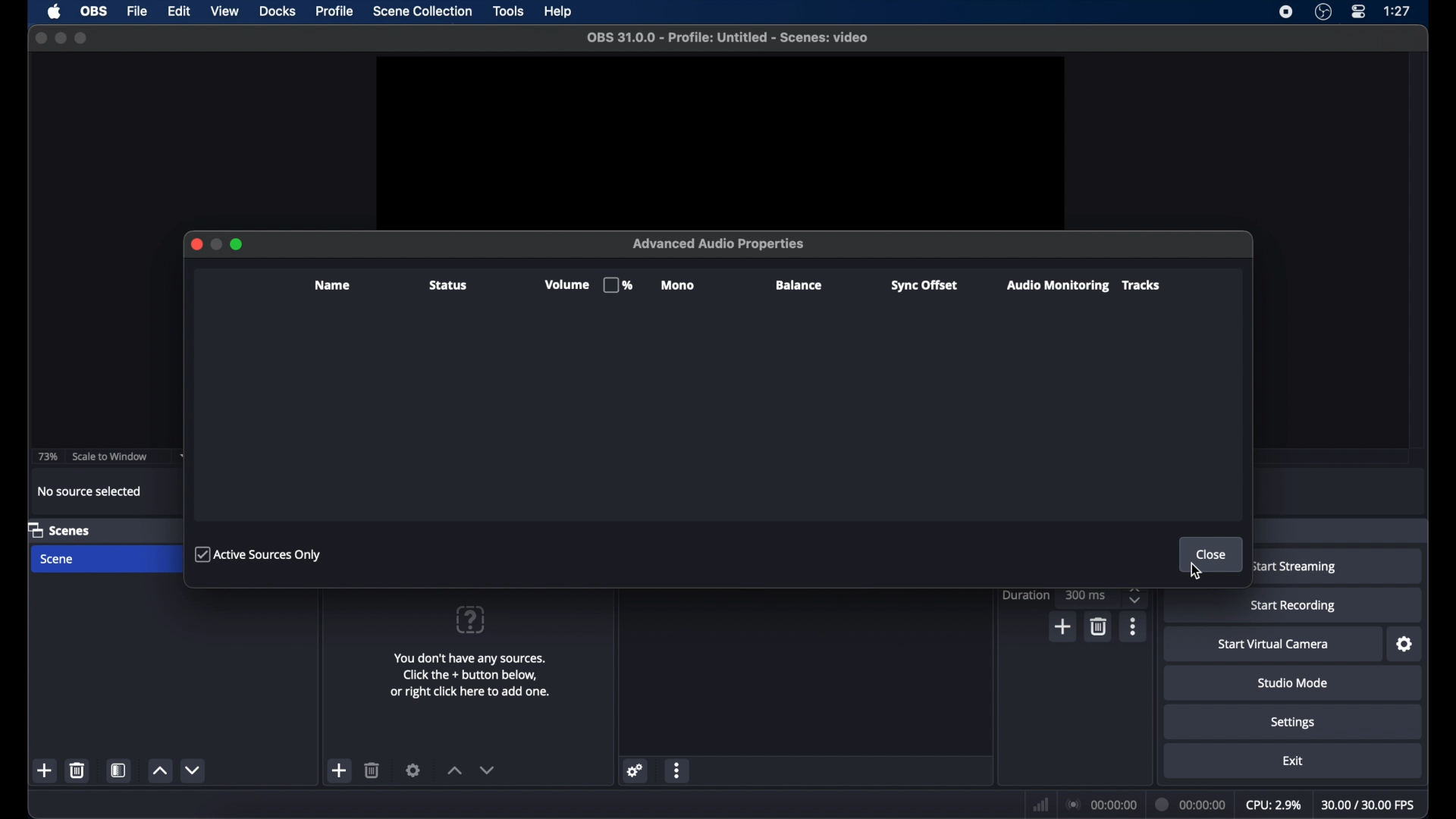 The width and height of the screenshot is (1456, 819). What do you see at coordinates (559, 11) in the screenshot?
I see `help` at bounding box center [559, 11].